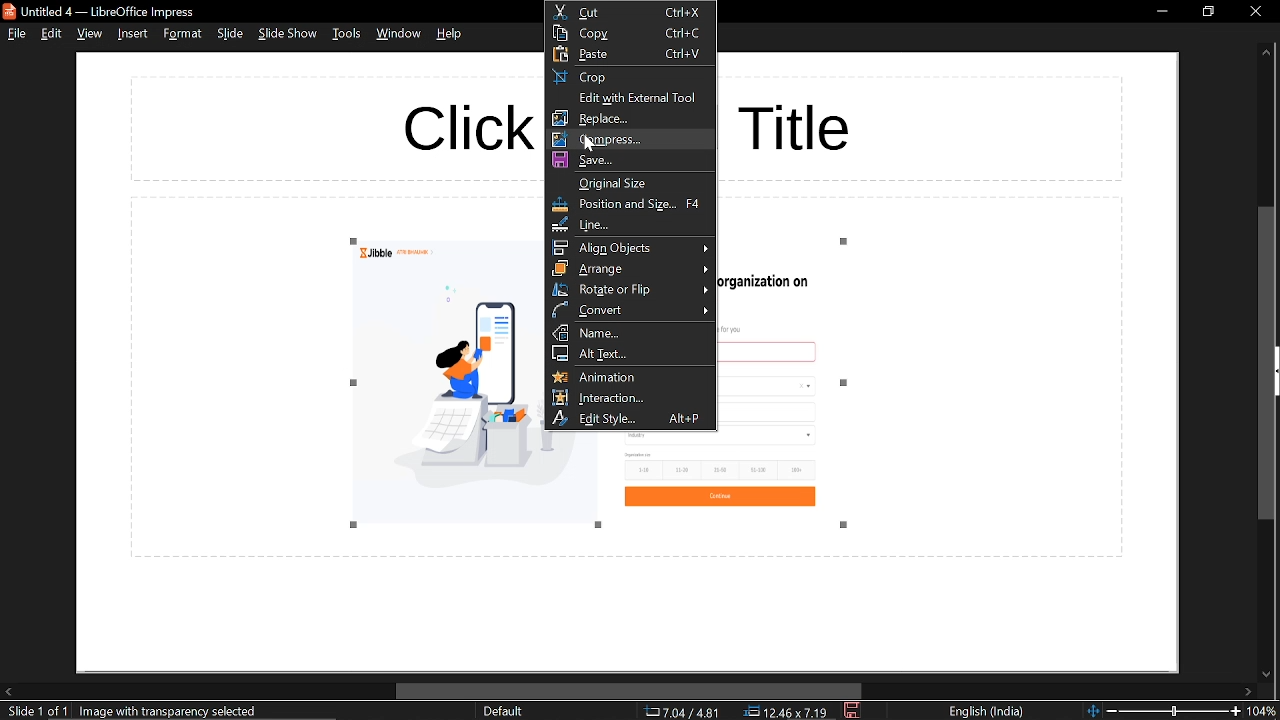  What do you see at coordinates (102, 10) in the screenshot?
I see `current window` at bounding box center [102, 10].